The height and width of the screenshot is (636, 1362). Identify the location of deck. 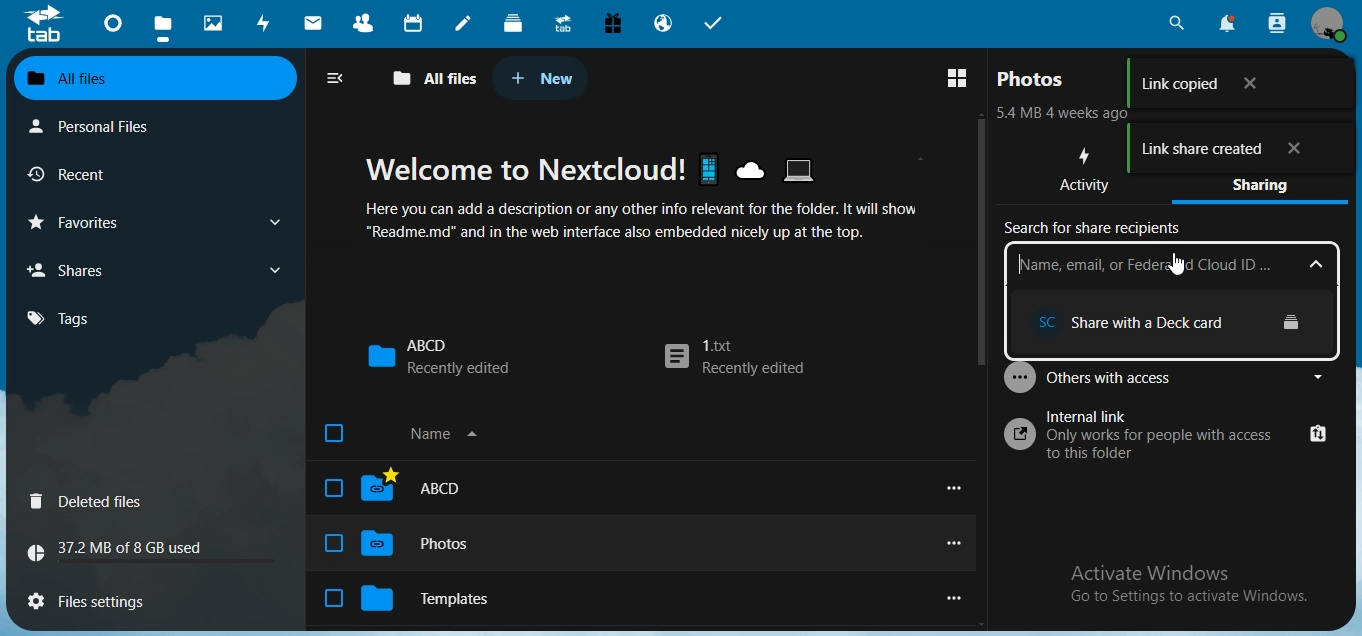
(513, 22).